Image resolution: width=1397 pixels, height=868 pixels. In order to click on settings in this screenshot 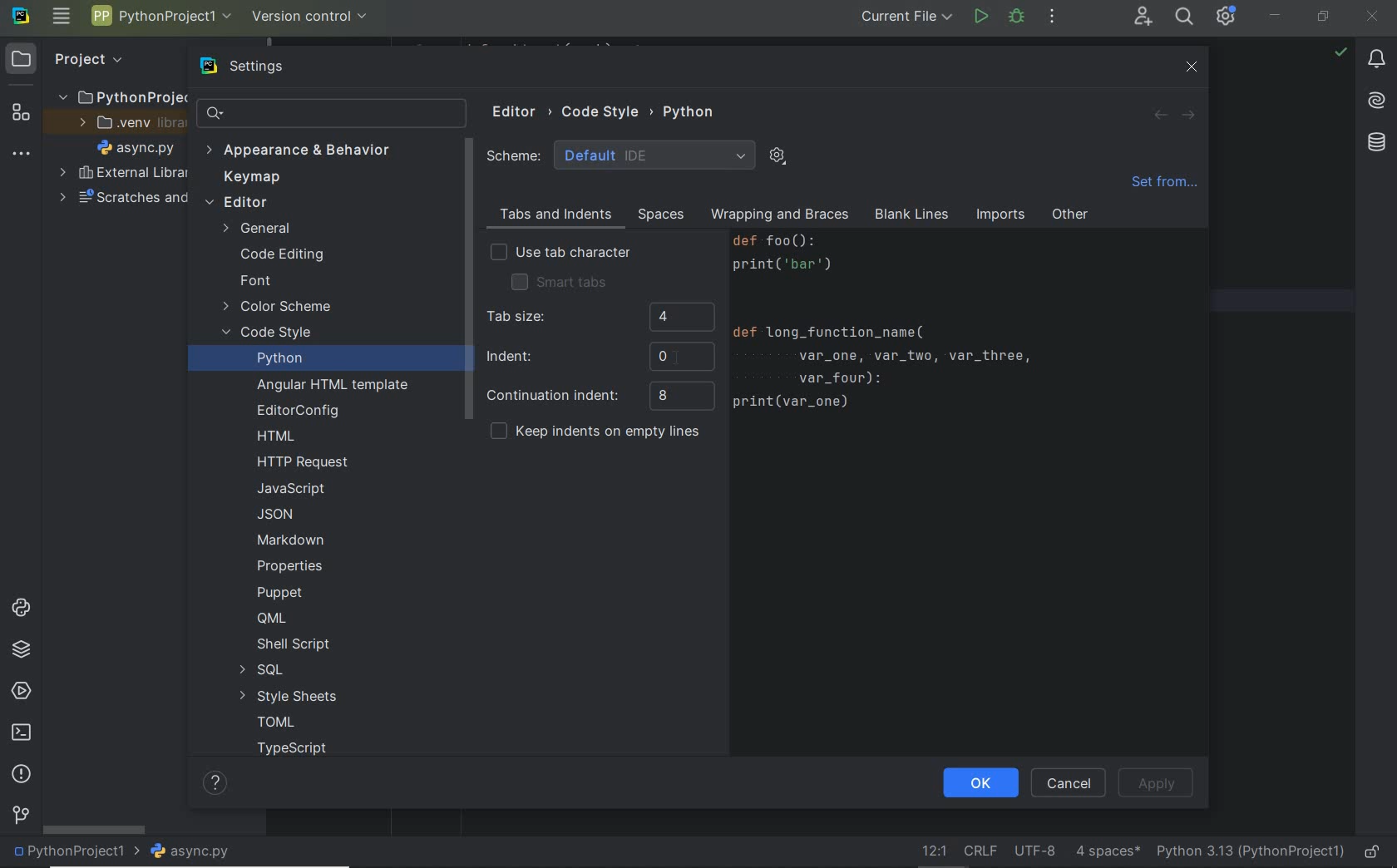, I will do `click(259, 67)`.